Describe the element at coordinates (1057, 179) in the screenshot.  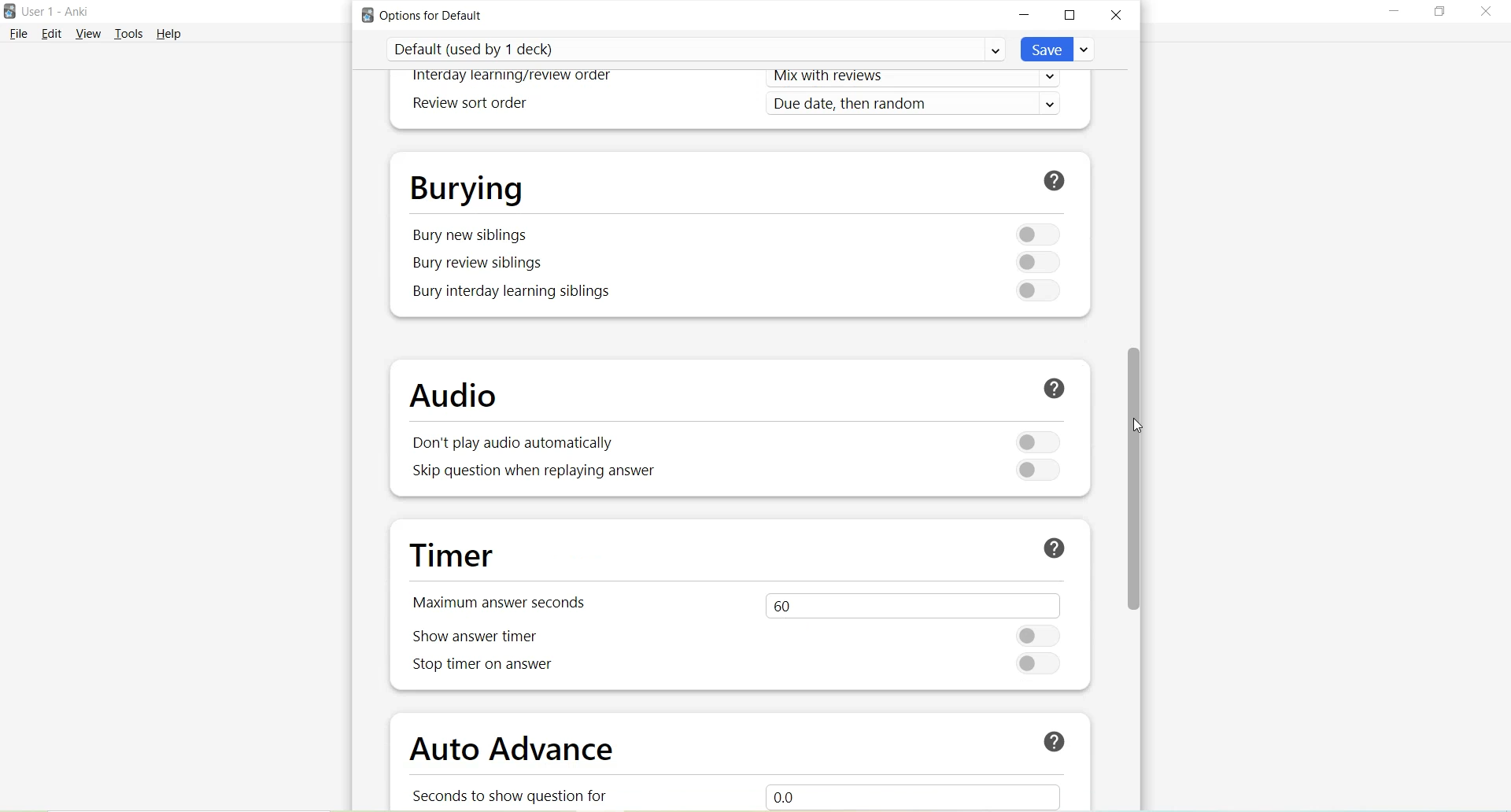
I see `What's this?` at that location.